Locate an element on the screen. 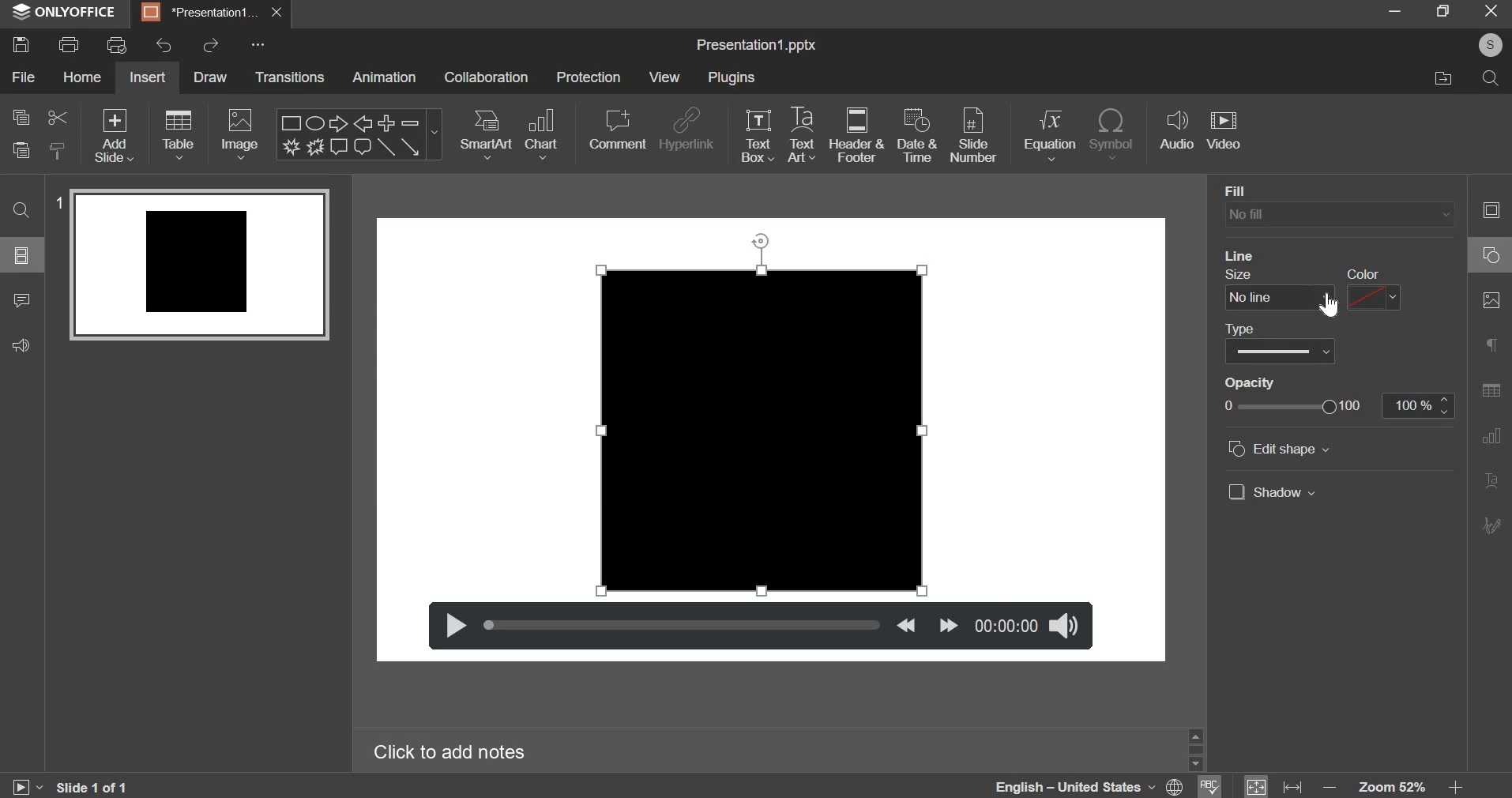  Square is located at coordinates (288, 122).